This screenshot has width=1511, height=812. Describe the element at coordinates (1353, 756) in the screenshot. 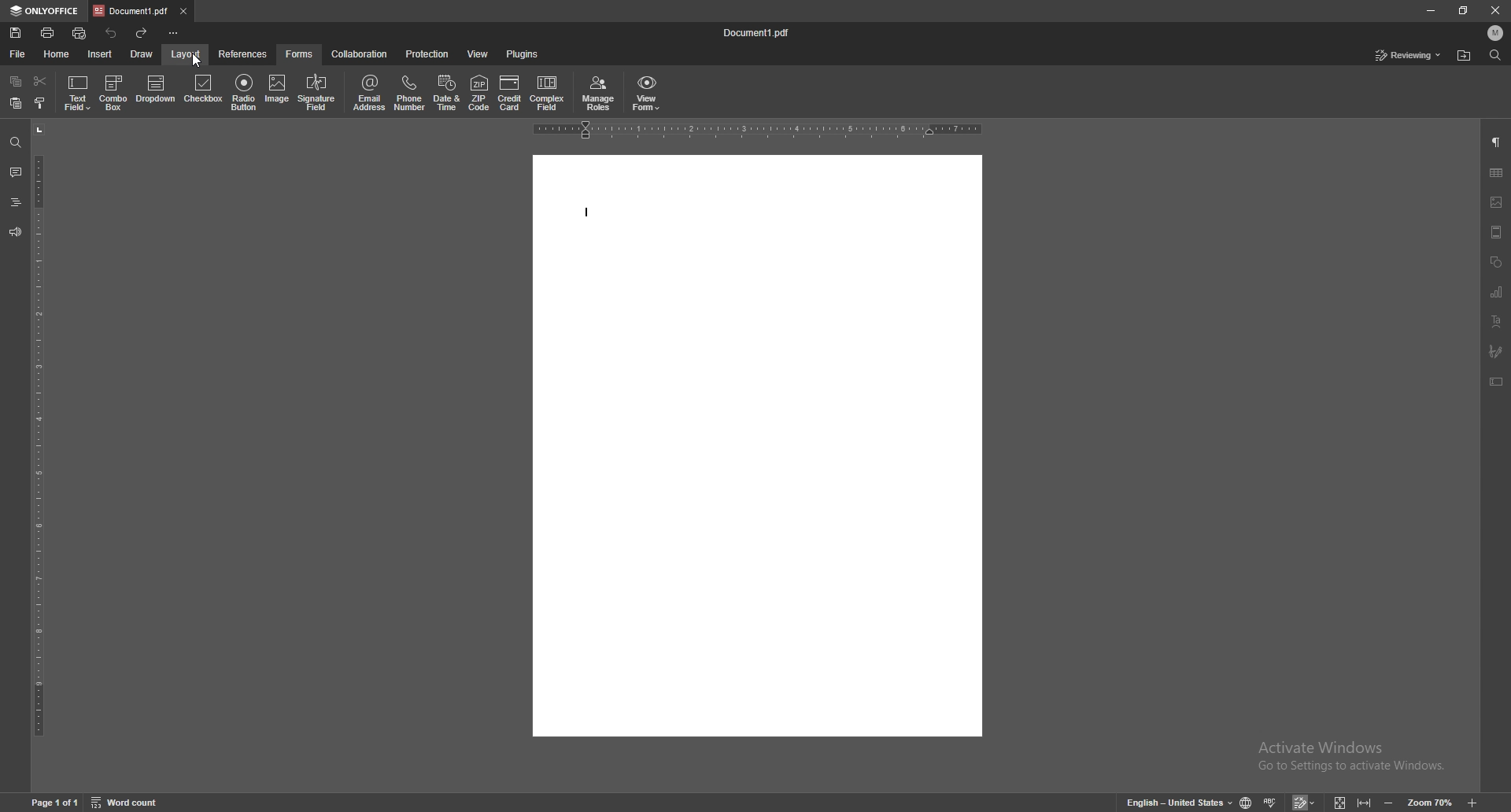

I see `Activate Windows
Go to Settings to activate Windows.` at that location.